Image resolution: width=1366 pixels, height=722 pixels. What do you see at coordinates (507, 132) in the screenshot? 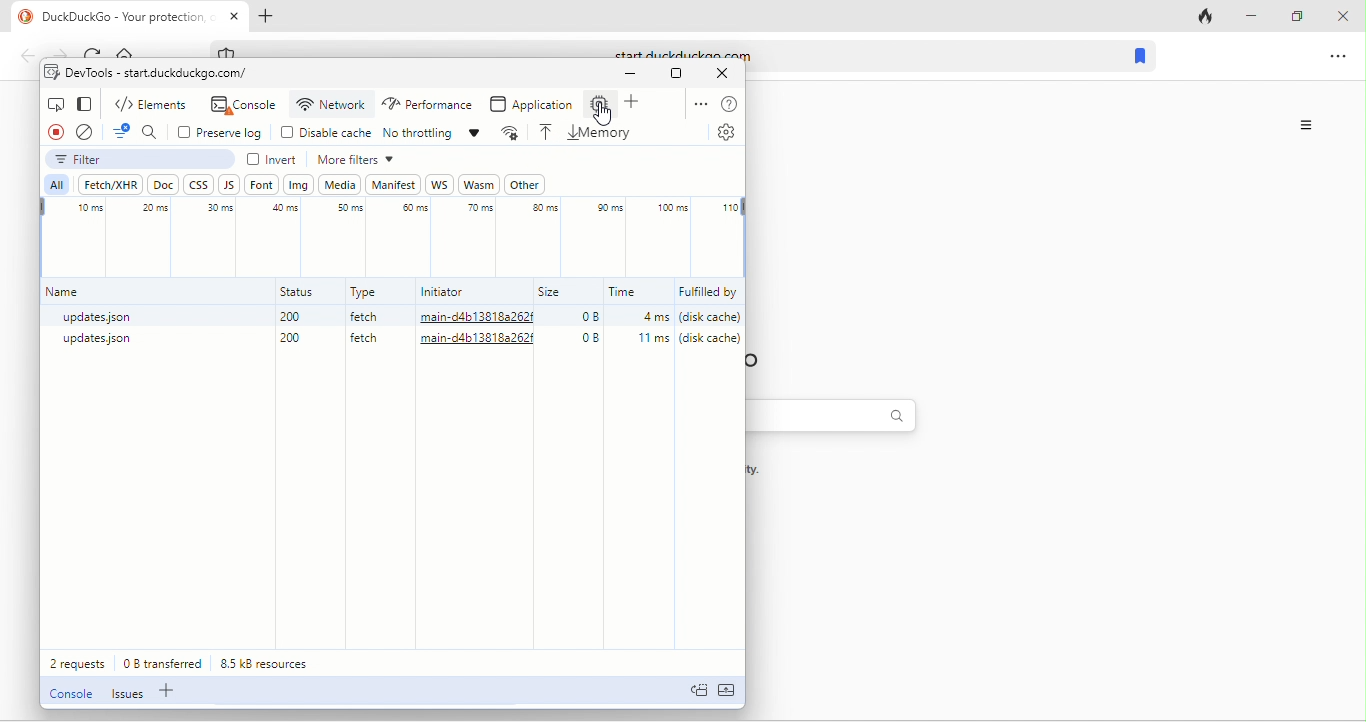
I see `more network condition` at bounding box center [507, 132].